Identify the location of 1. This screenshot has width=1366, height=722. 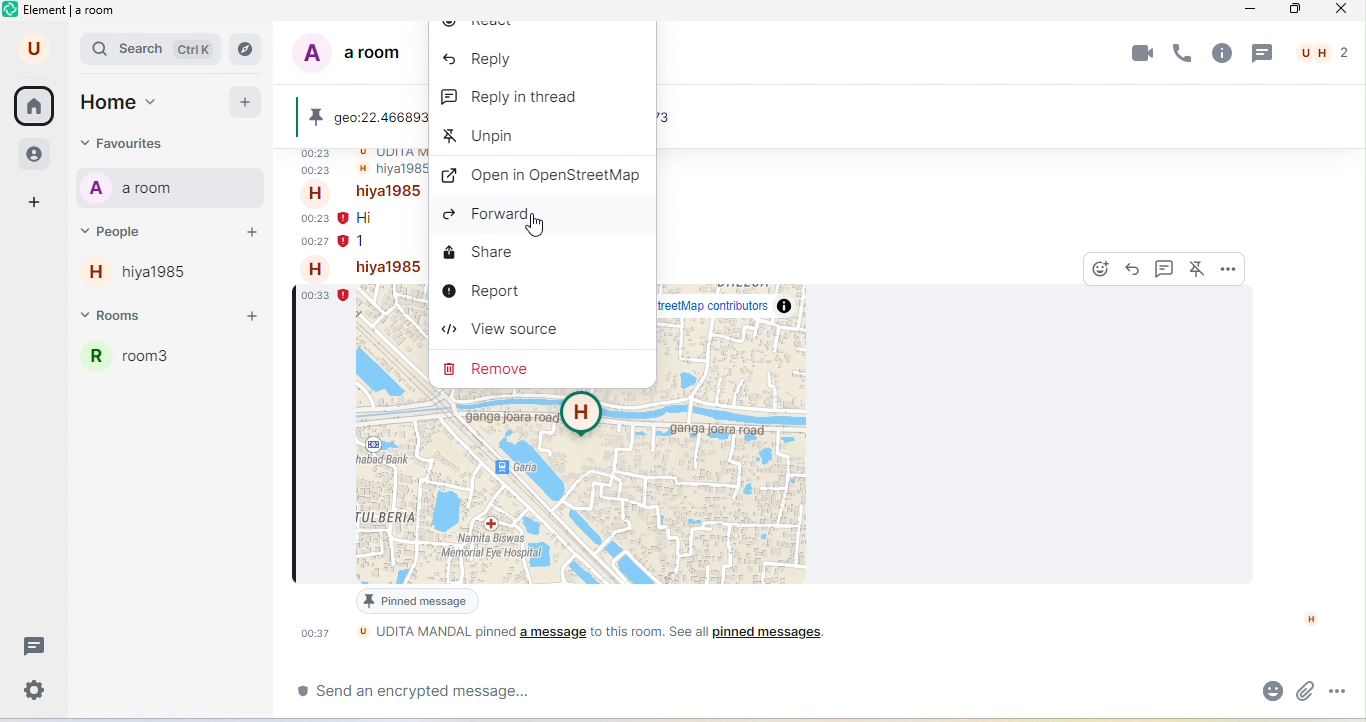
(363, 246).